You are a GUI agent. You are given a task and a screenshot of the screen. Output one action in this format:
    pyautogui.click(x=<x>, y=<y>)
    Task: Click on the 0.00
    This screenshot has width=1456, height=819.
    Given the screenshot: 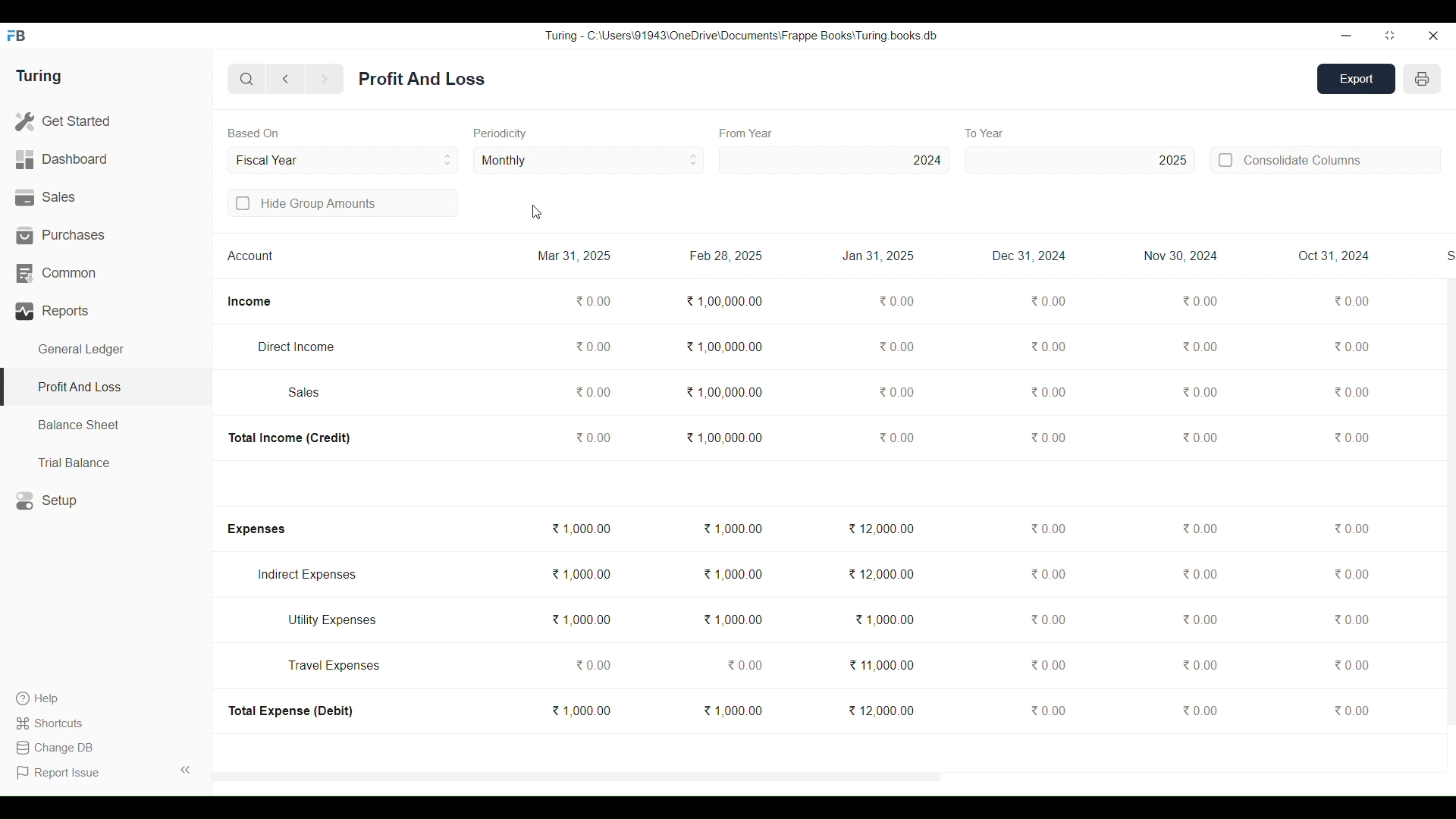 What is the action you would take?
    pyautogui.click(x=1199, y=438)
    